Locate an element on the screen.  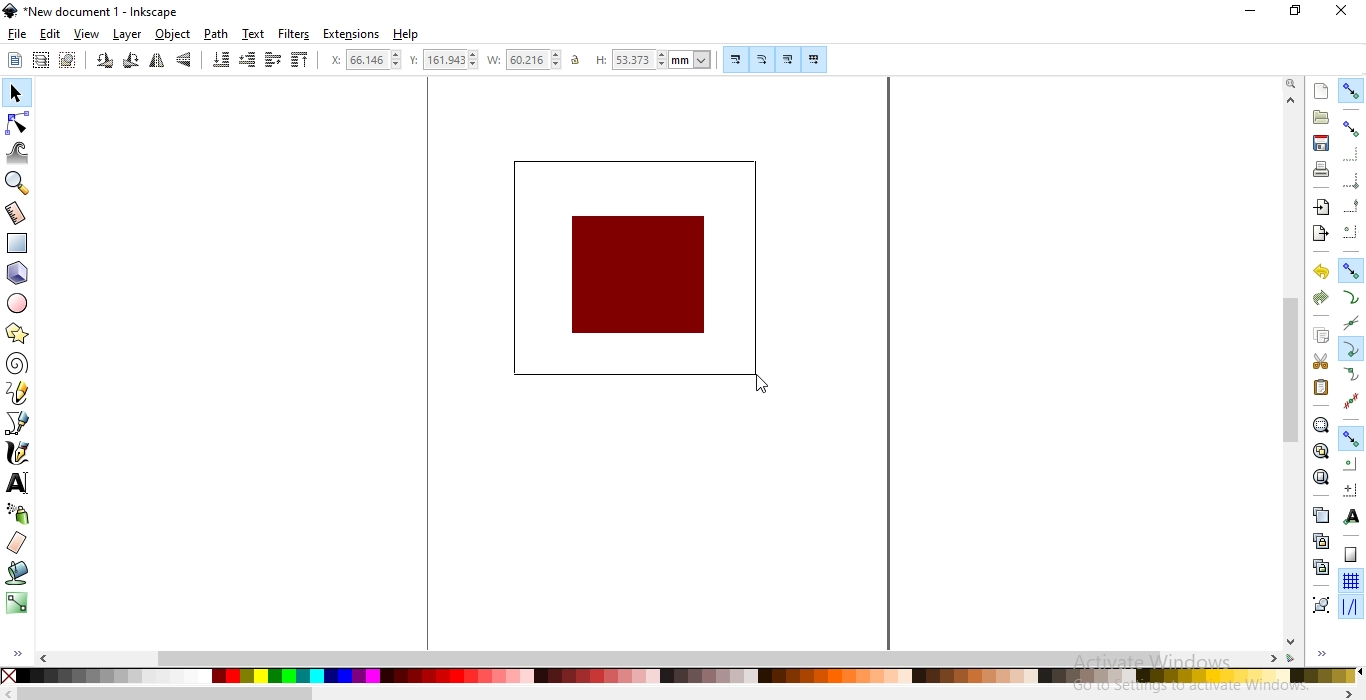
object is located at coordinates (174, 35).